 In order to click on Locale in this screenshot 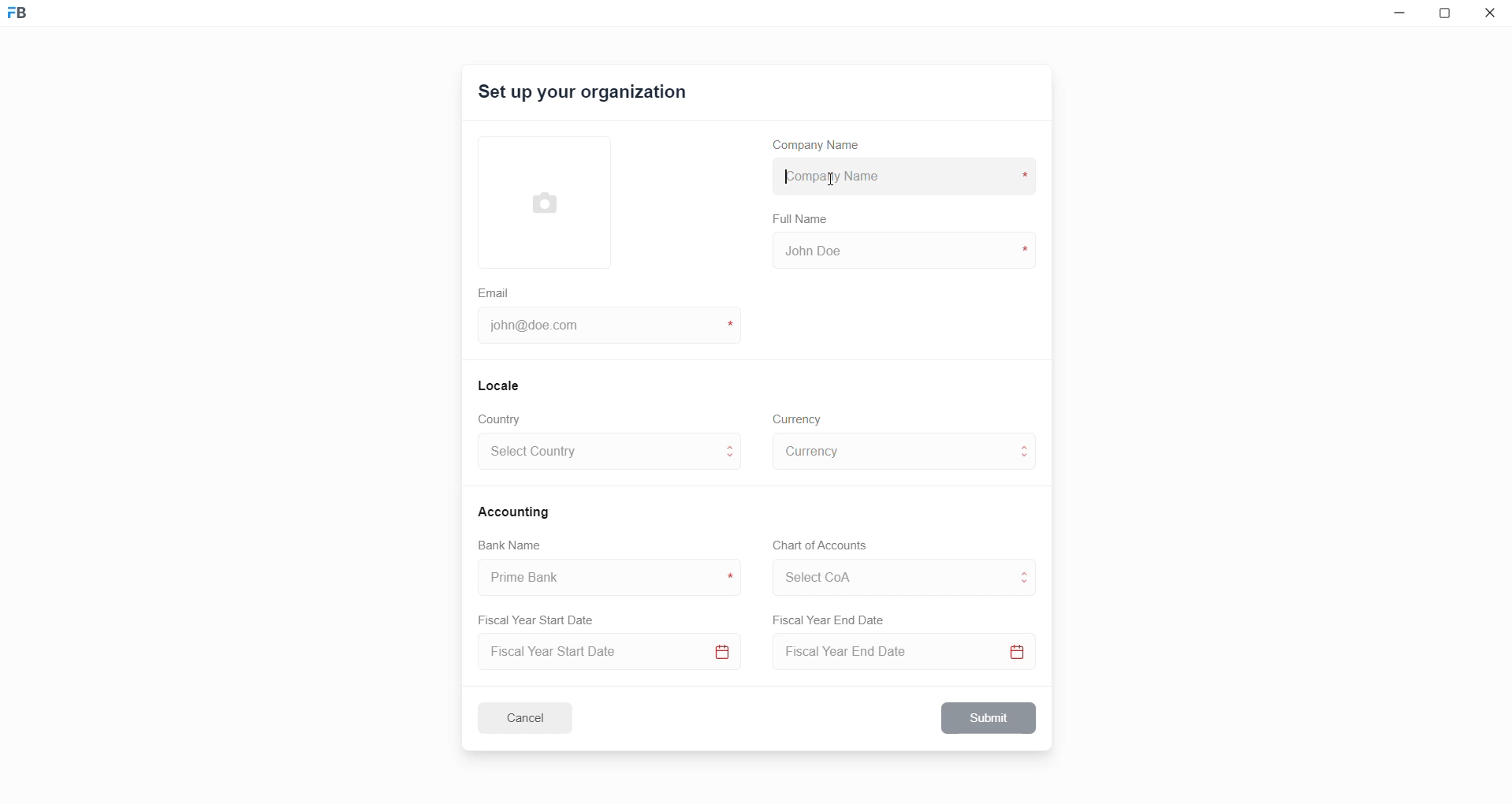, I will do `click(500, 385)`.